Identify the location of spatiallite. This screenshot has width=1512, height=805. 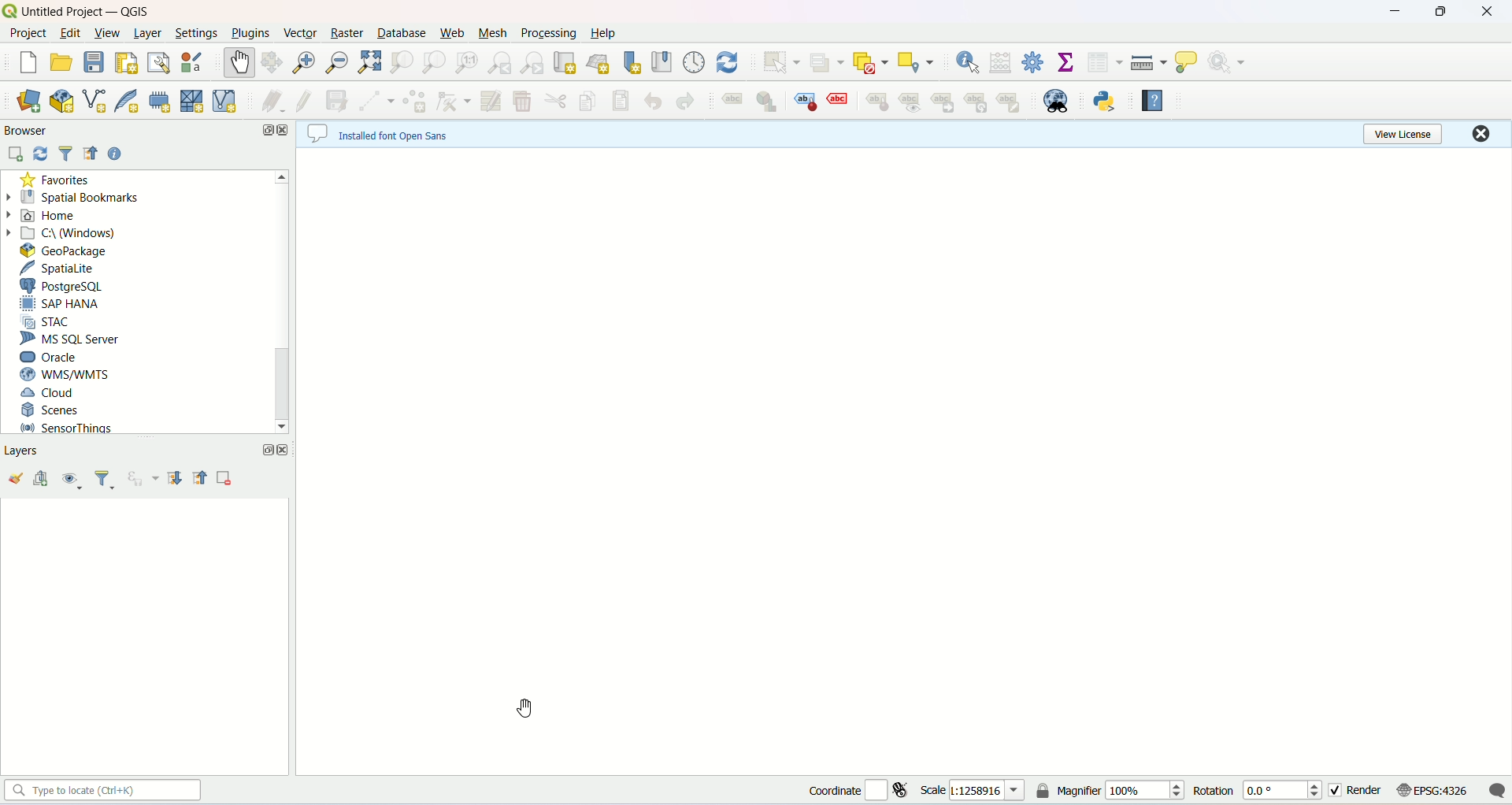
(61, 268).